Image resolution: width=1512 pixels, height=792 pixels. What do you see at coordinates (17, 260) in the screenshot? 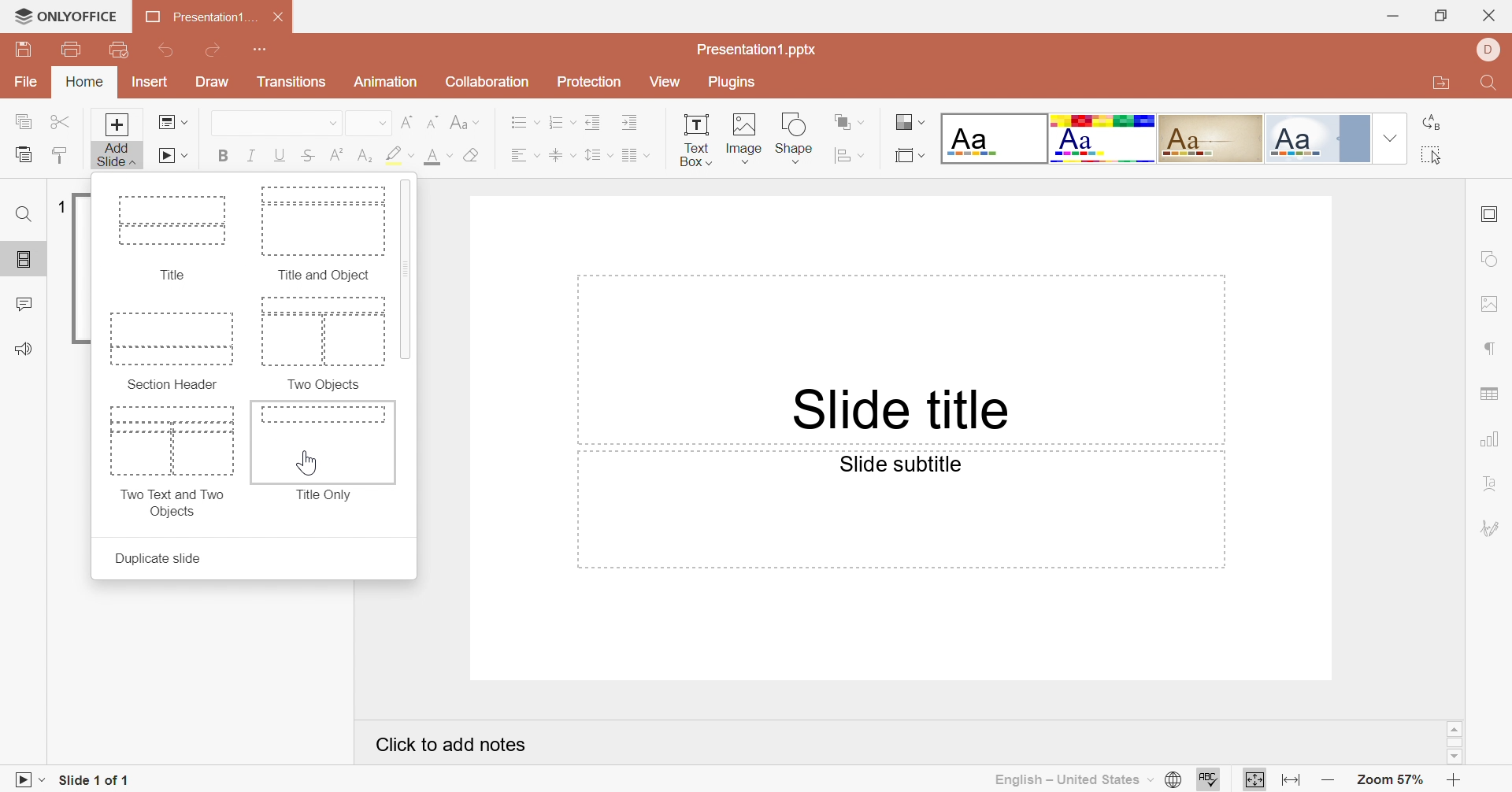
I see `Slides` at bounding box center [17, 260].